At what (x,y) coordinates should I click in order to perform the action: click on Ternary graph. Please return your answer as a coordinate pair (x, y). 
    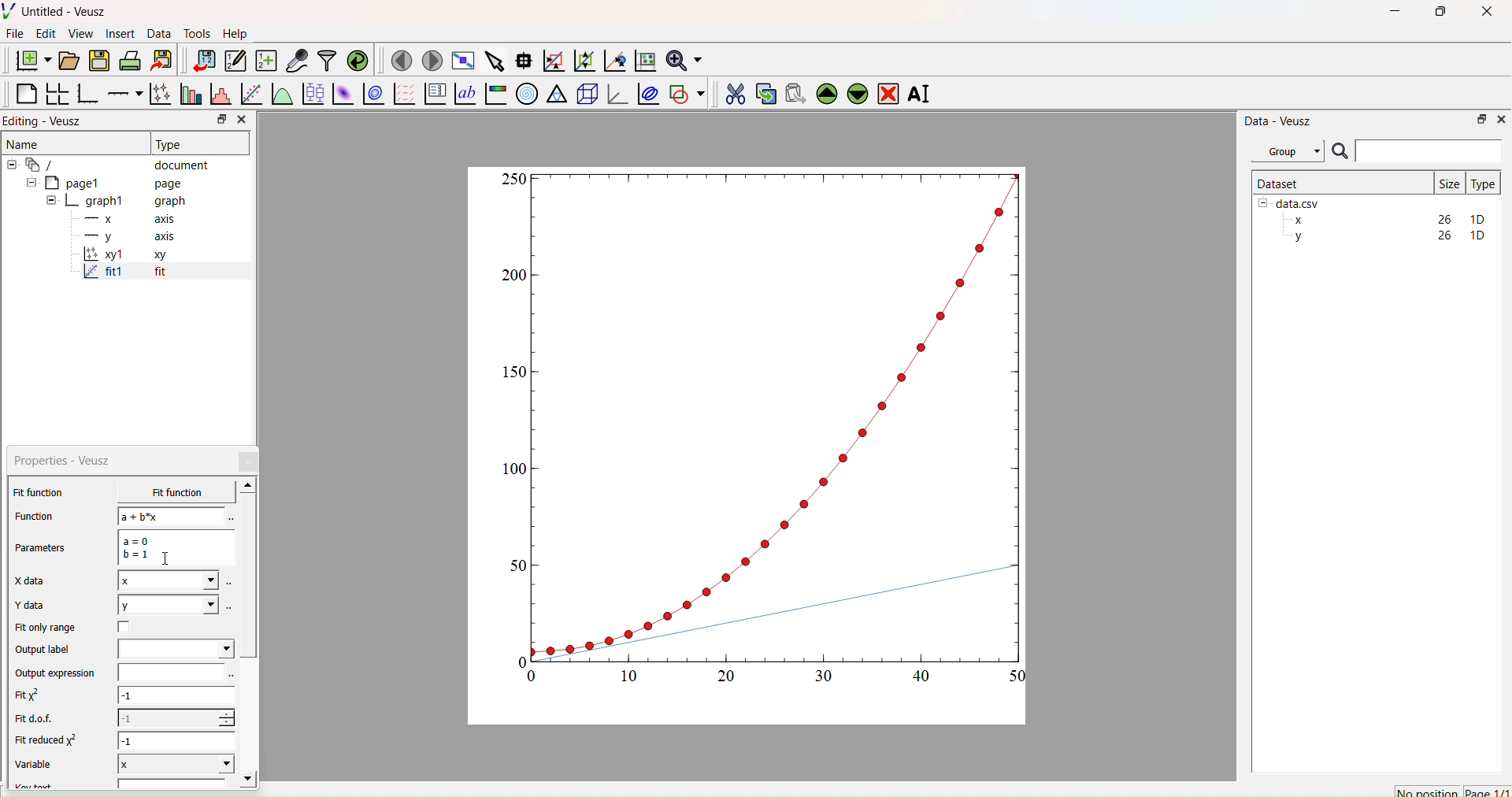
    Looking at the image, I should click on (558, 93).